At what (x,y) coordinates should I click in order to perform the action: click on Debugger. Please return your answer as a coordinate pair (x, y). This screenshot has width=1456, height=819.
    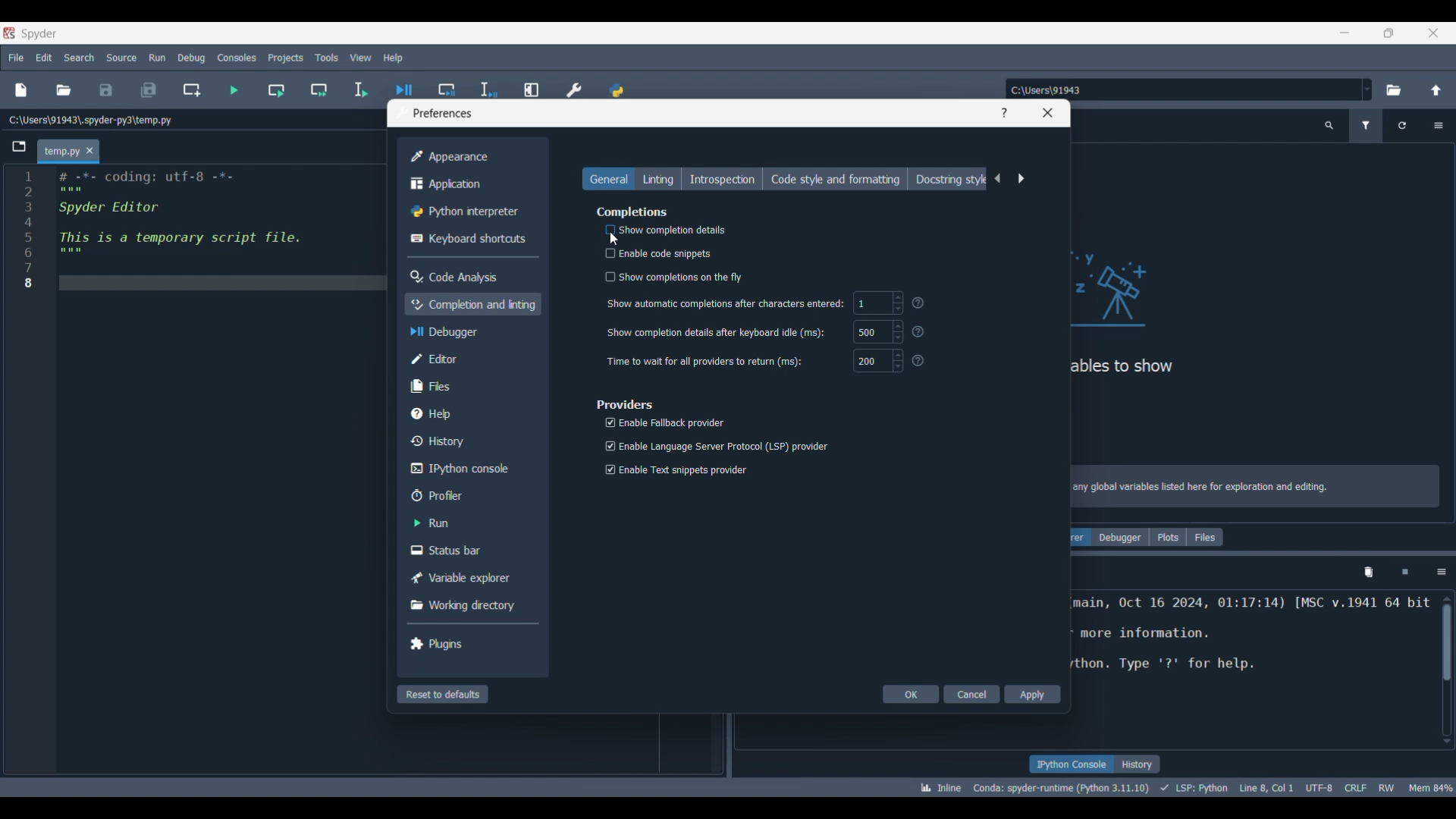
    Looking at the image, I should click on (472, 331).